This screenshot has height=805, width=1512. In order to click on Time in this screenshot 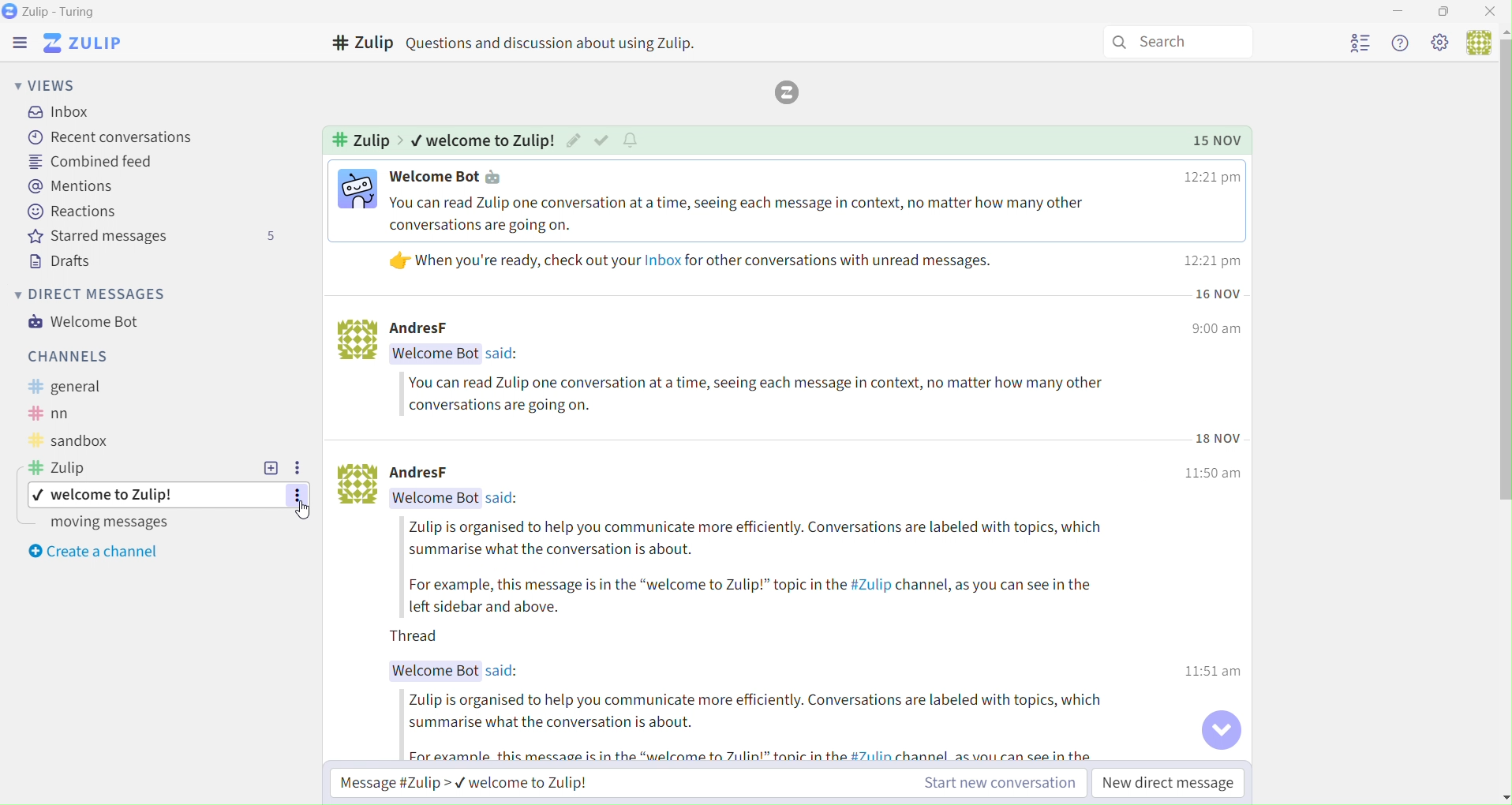, I will do `click(1216, 330)`.